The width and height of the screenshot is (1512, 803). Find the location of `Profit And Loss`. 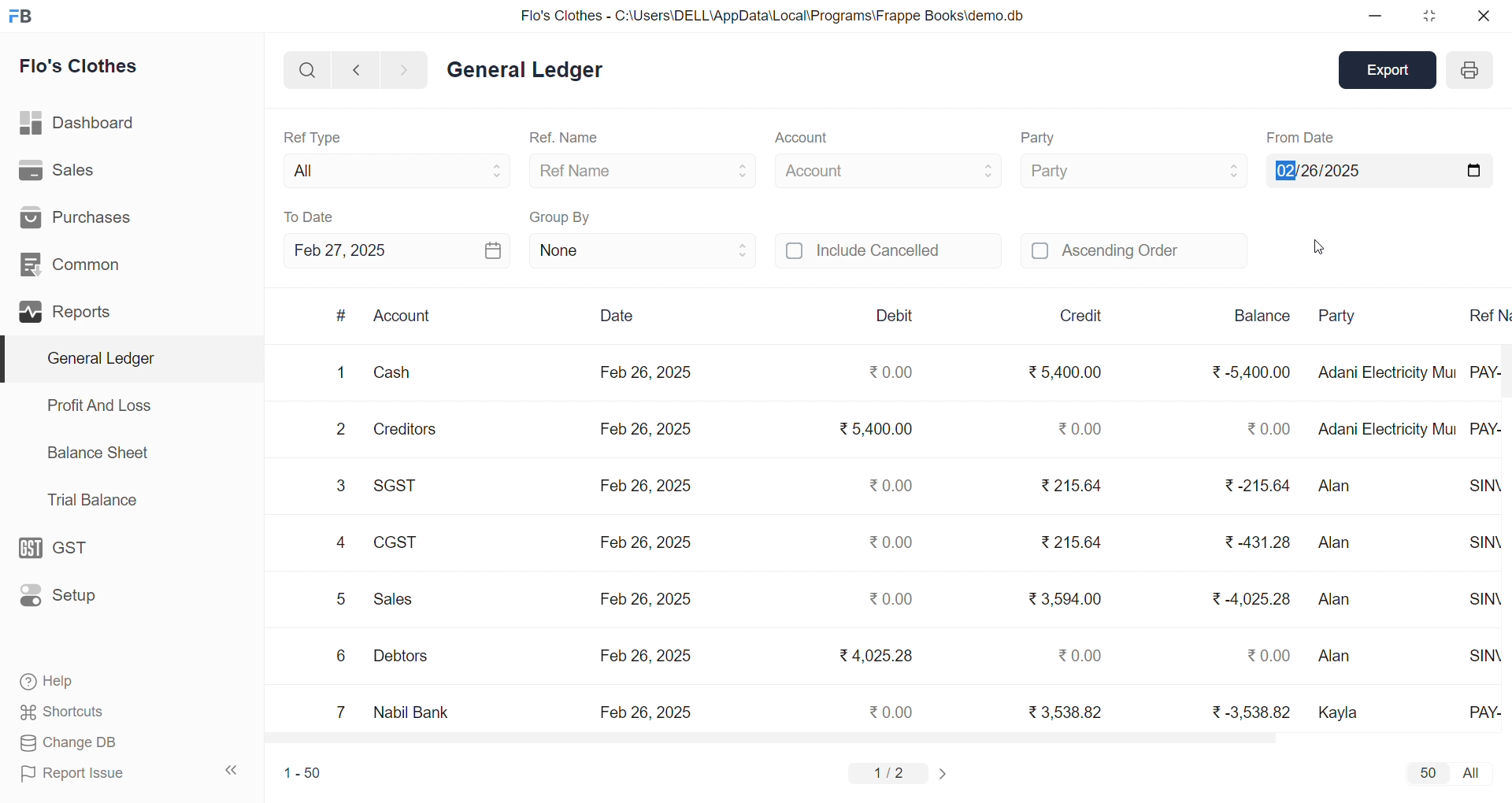

Profit And Loss is located at coordinates (98, 405).